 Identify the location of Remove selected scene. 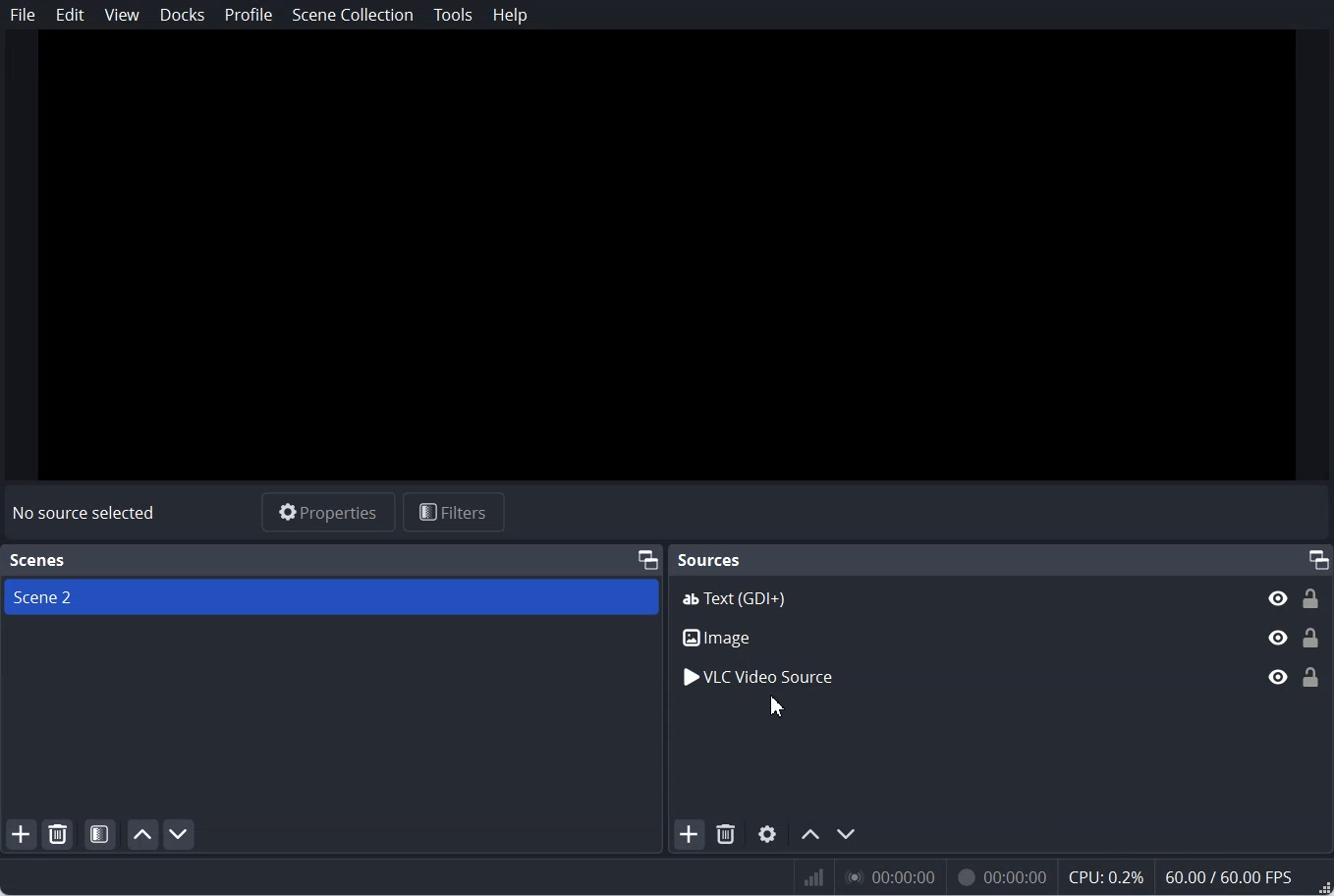
(59, 834).